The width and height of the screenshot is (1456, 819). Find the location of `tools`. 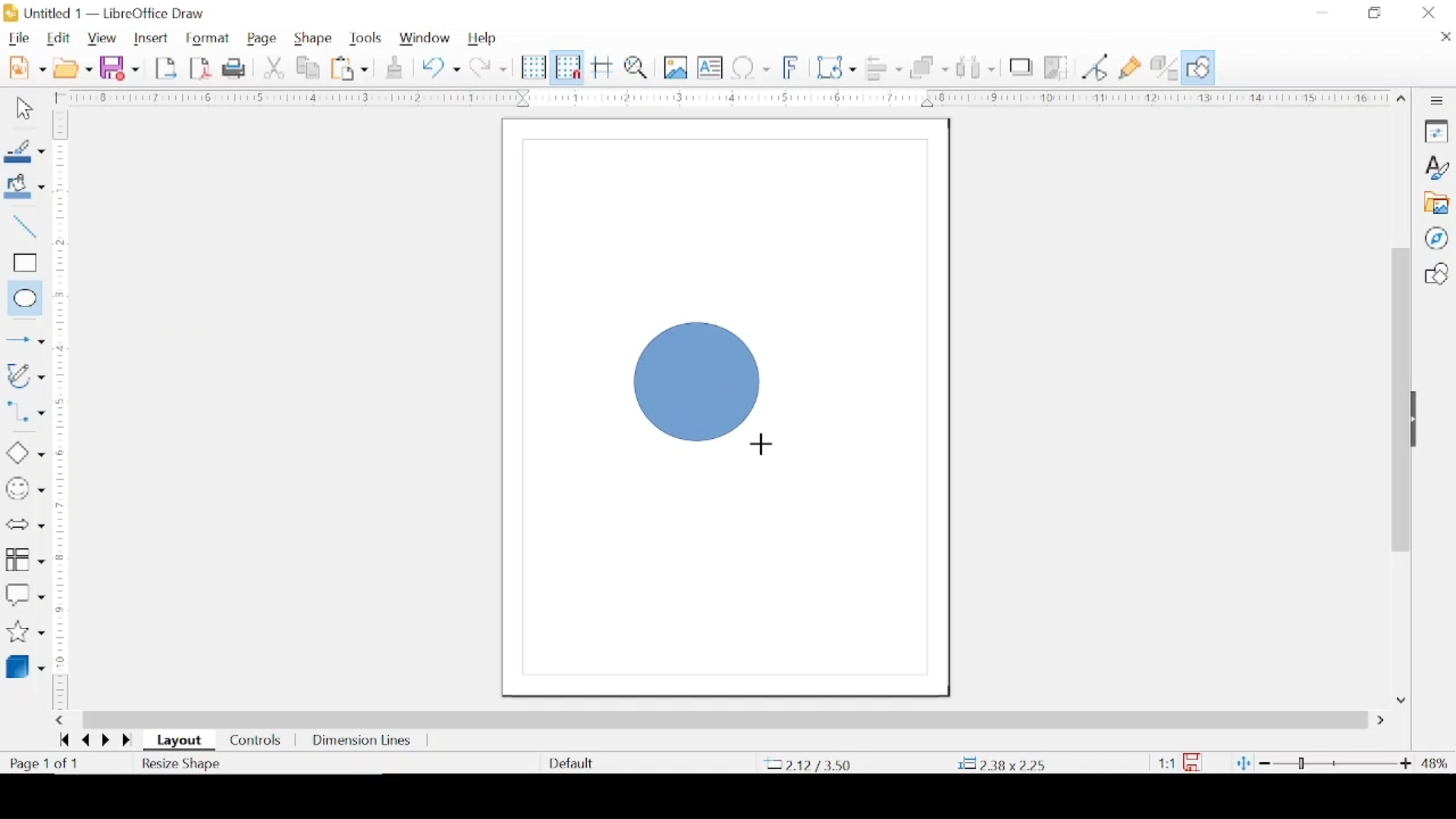

tools is located at coordinates (366, 39).